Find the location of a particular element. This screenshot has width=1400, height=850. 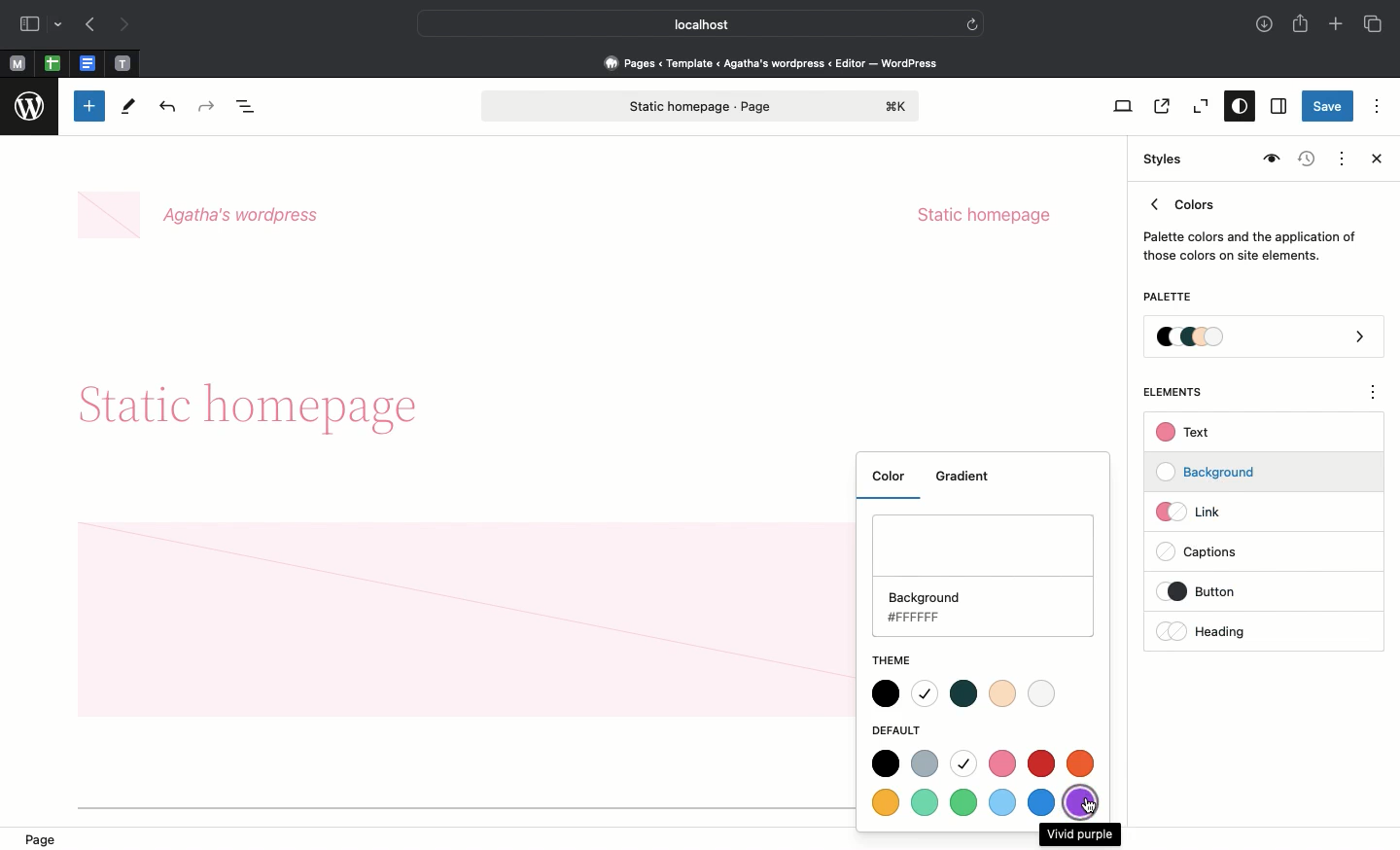

Previous page is located at coordinates (88, 26).